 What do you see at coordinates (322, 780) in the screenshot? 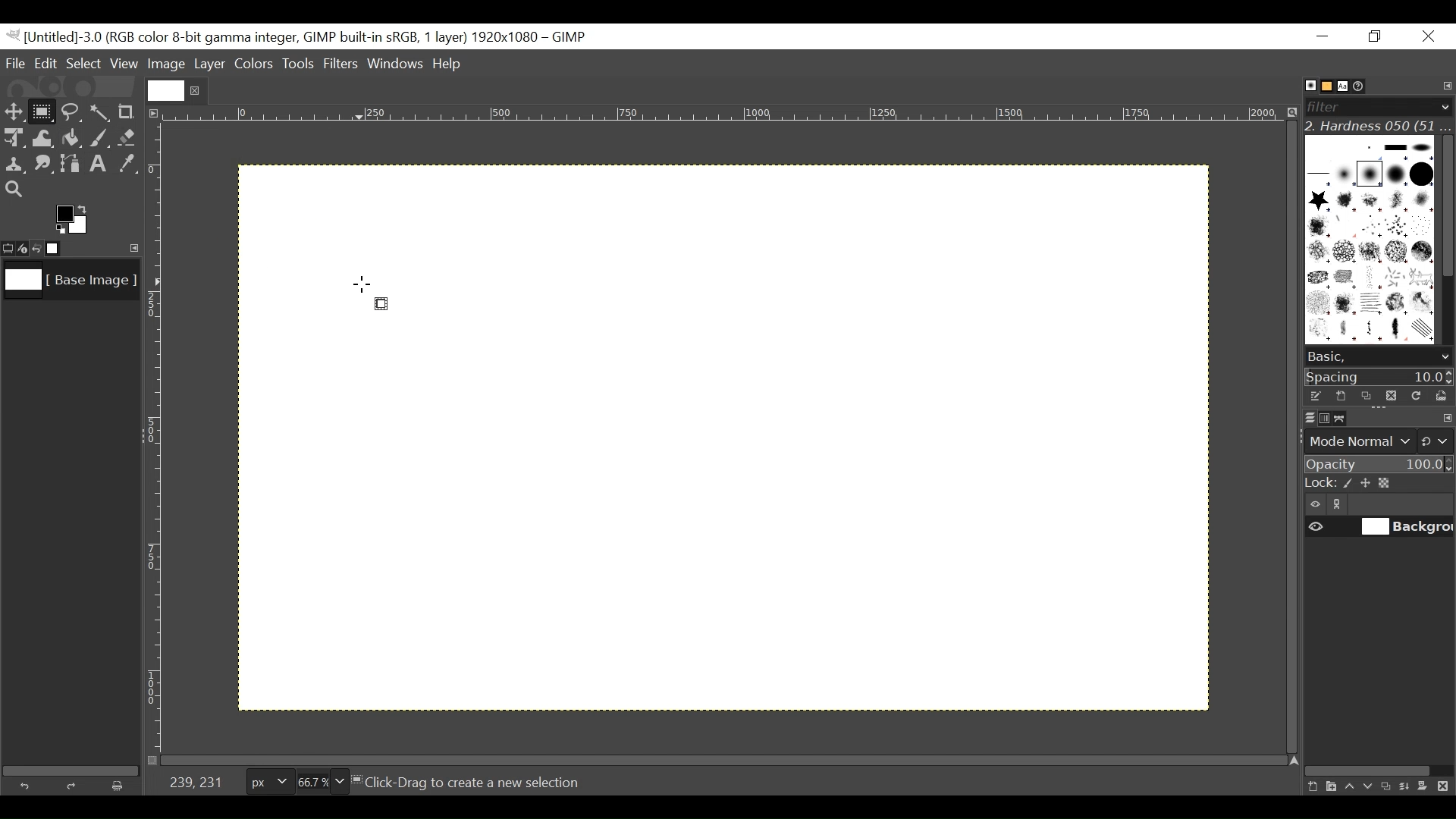
I see `Zoom factor` at bounding box center [322, 780].